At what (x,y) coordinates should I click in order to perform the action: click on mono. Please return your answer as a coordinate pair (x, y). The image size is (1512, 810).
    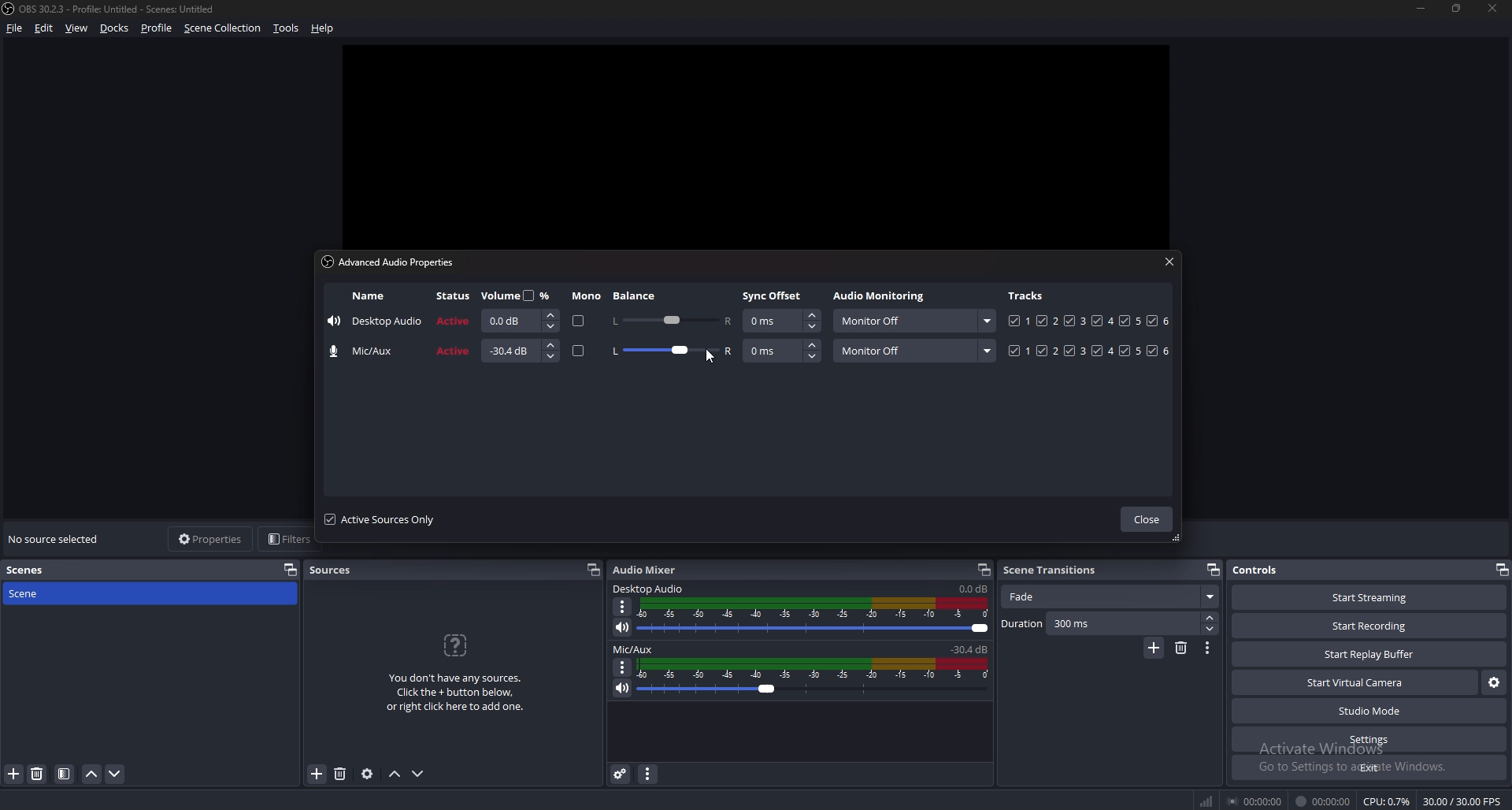
    Looking at the image, I should click on (587, 296).